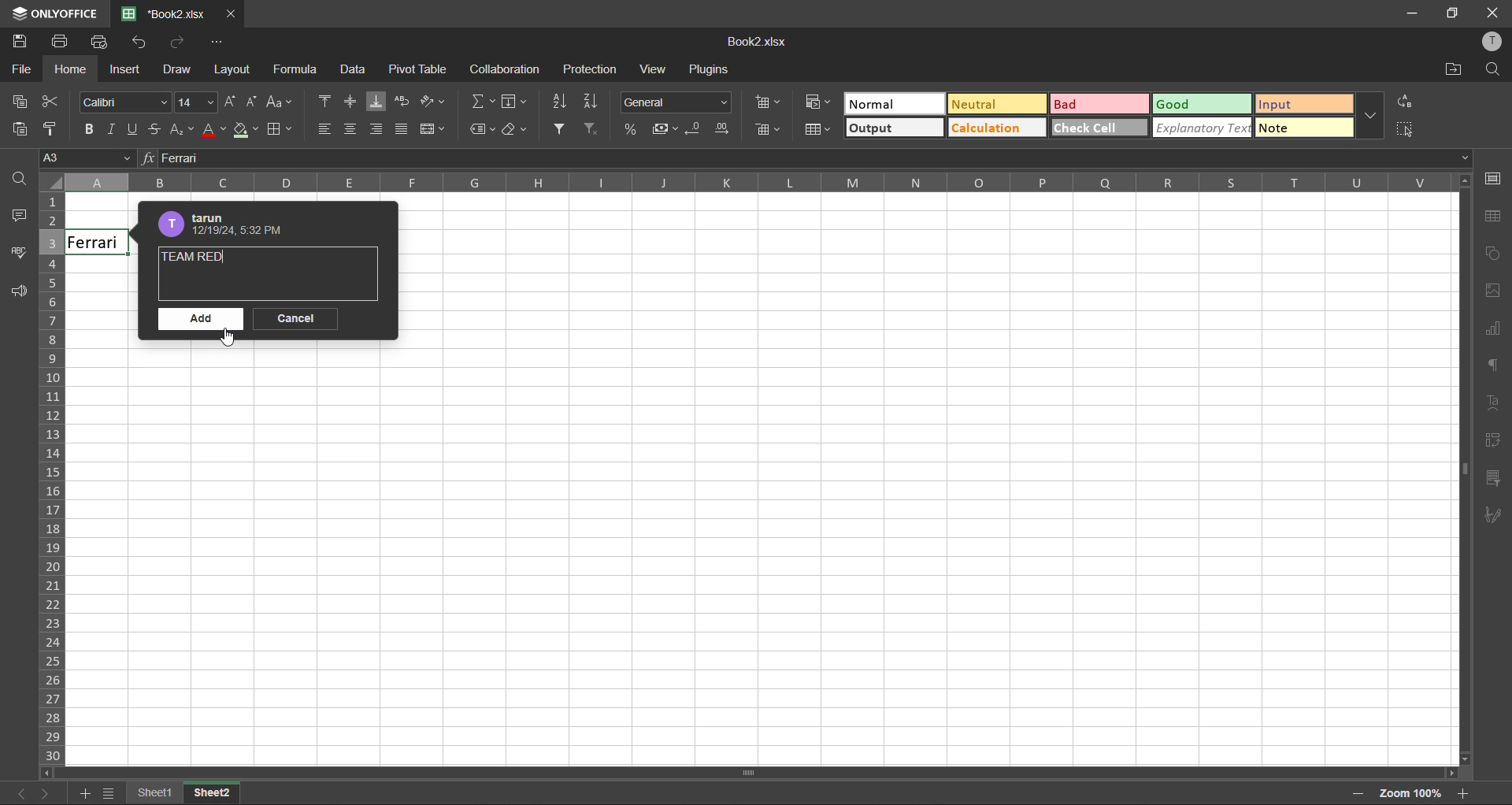 Image resolution: width=1512 pixels, height=805 pixels. I want to click on underline, so click(135, 130).